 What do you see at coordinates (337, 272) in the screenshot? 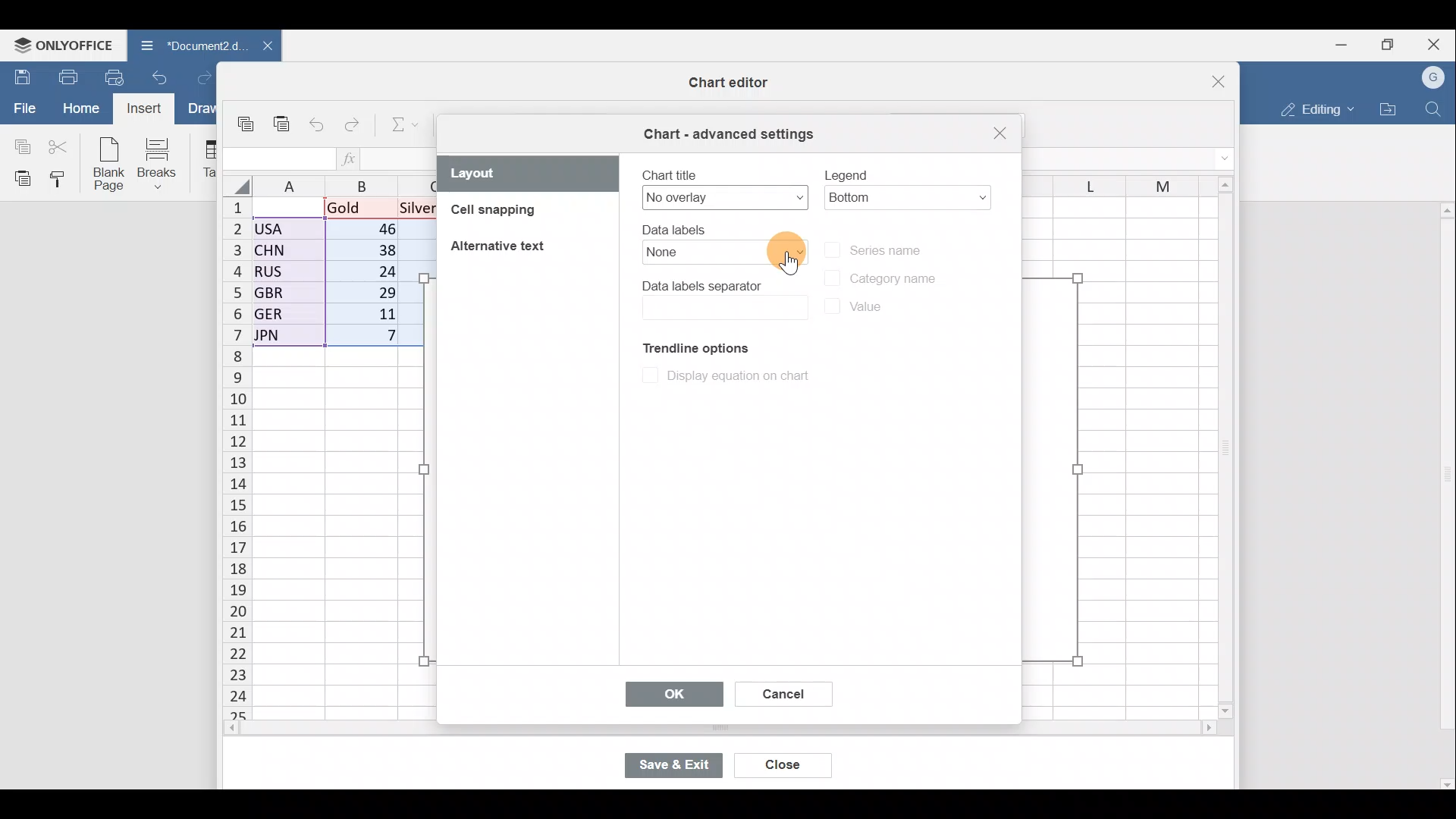
I see `Data` at bounding box center [337, 272].